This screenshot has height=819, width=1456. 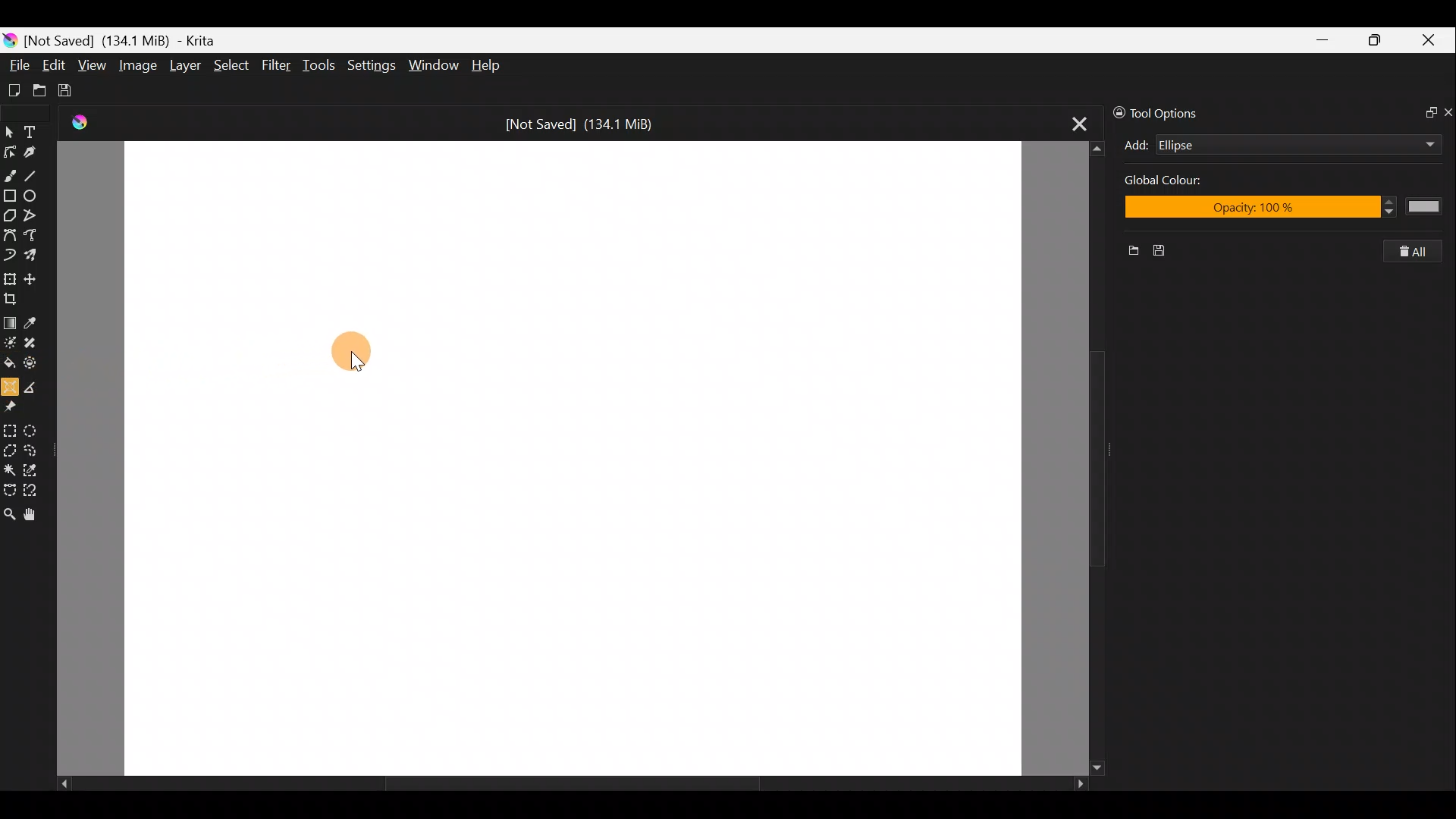 What do you see at coordinates (1274, 145) in the screenshot?
I see `Ellipse` at bounding box center [1274, 145].